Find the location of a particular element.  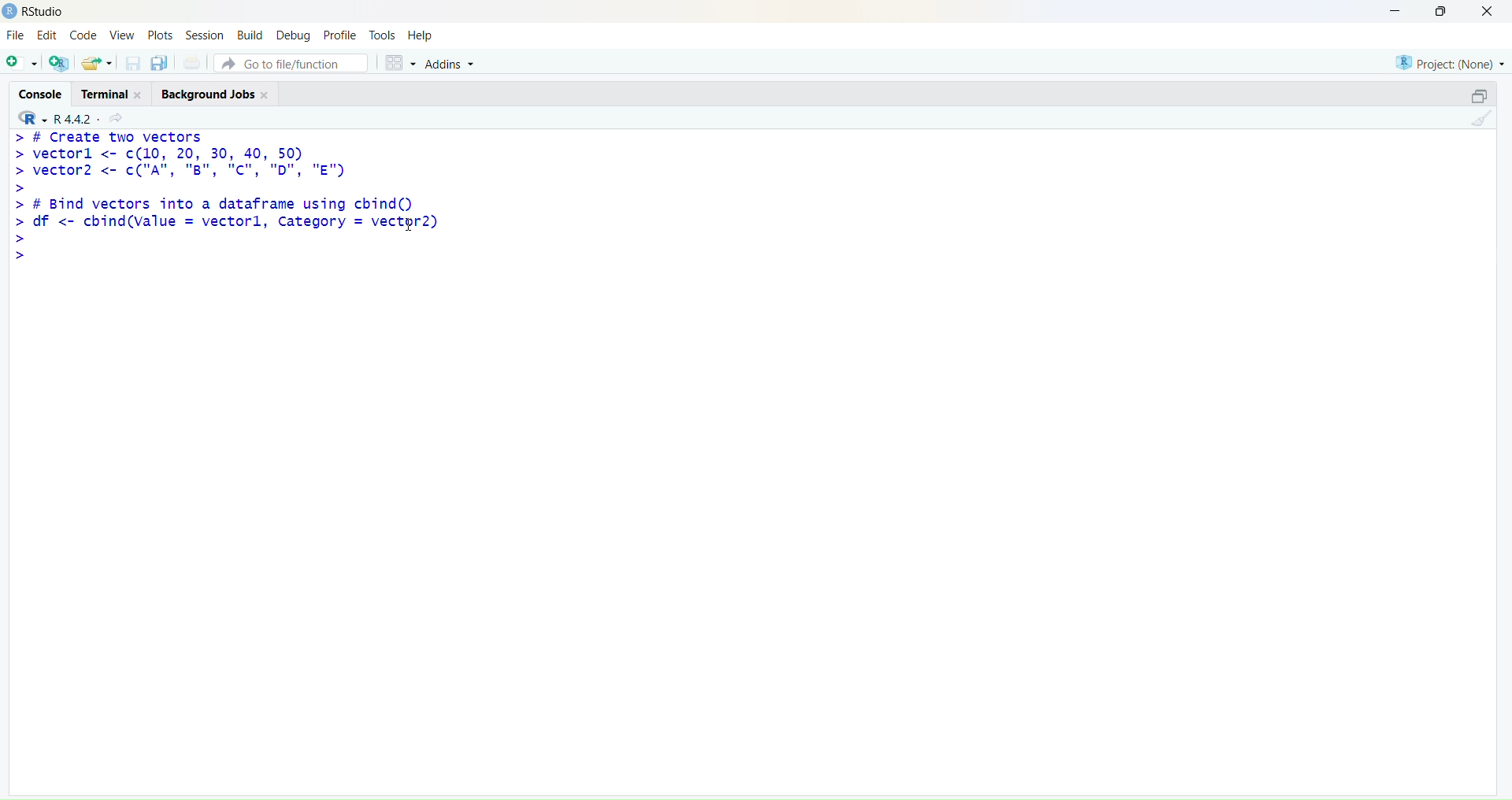

Go to file/function is located at coordinates (291, 63).